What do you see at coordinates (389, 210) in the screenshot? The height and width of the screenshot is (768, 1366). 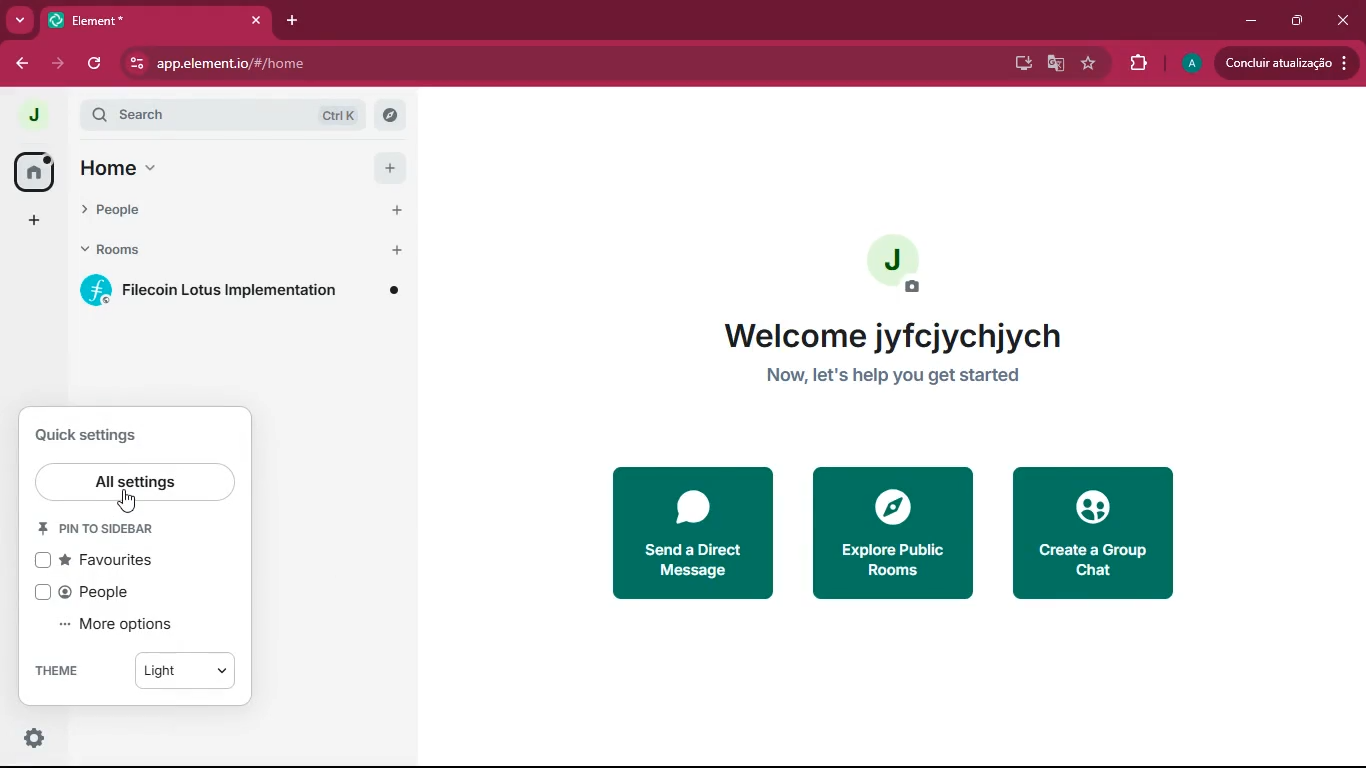 I see `Add people` at bounding box center [389, 210].